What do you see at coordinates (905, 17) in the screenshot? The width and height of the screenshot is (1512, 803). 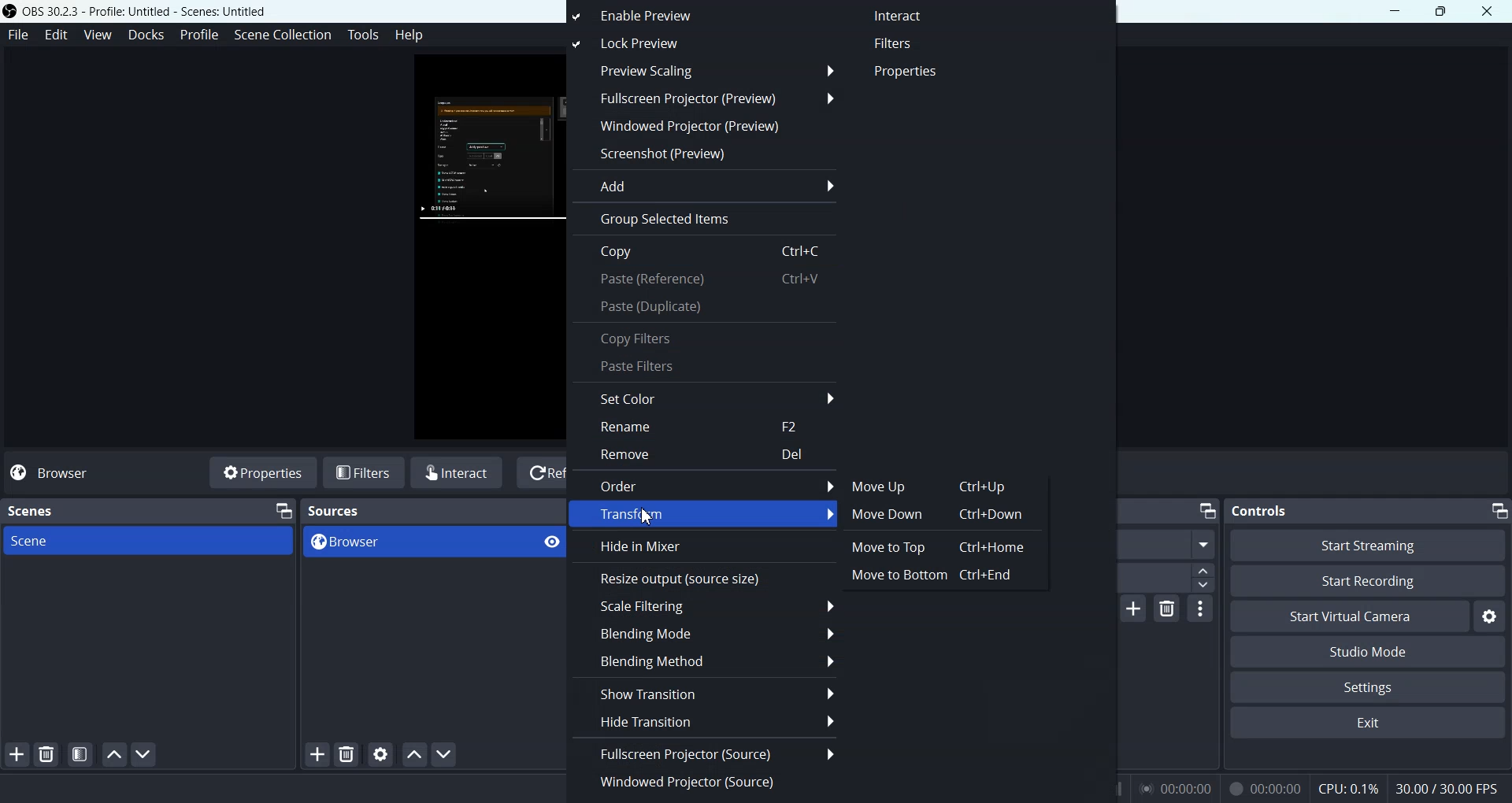 I see `Interact` at bounding box center [905, 17].